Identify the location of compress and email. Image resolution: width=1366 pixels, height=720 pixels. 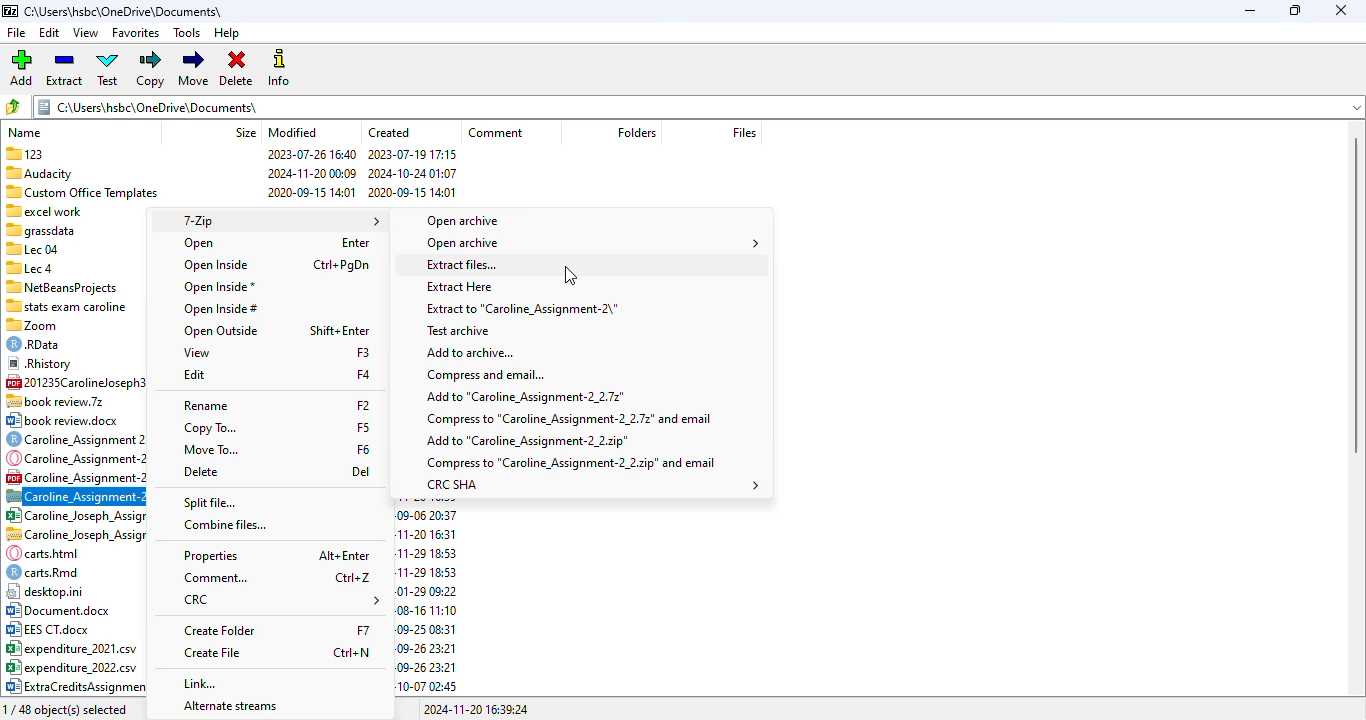
(485, 375).